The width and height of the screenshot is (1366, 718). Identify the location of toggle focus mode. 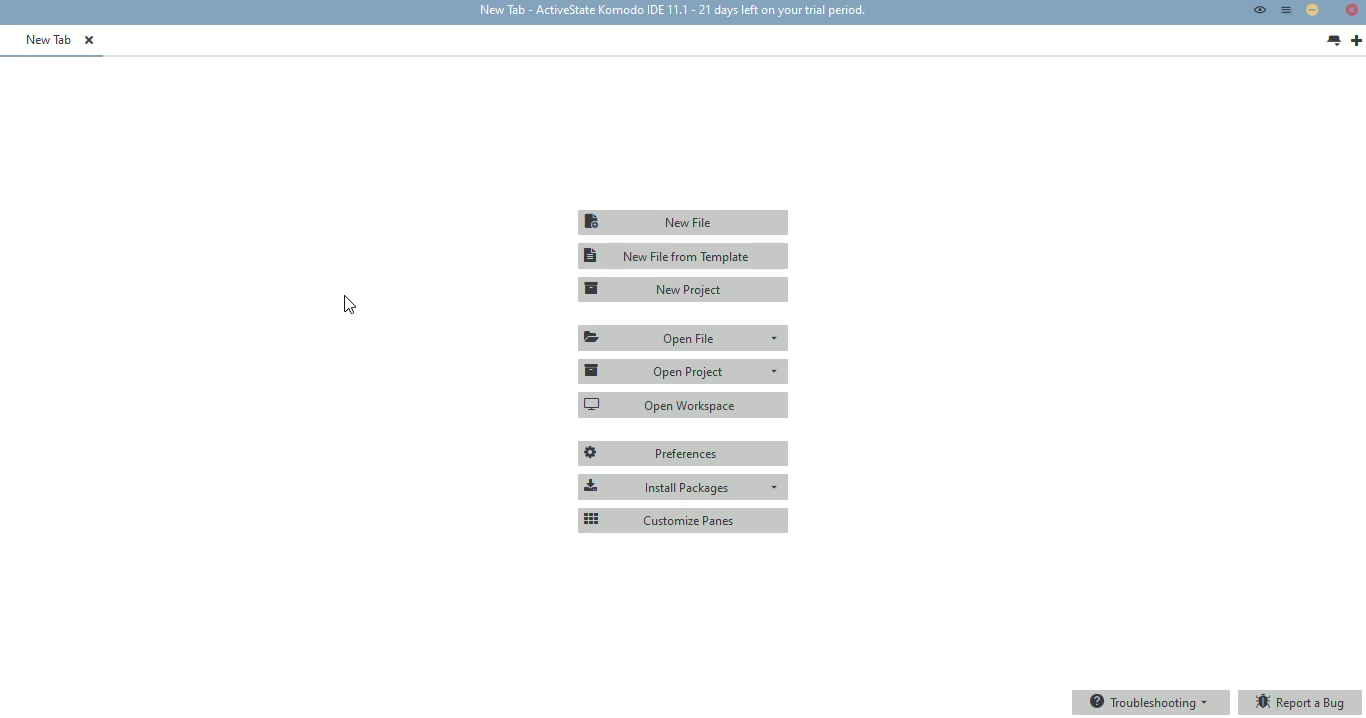
(1260, 9).